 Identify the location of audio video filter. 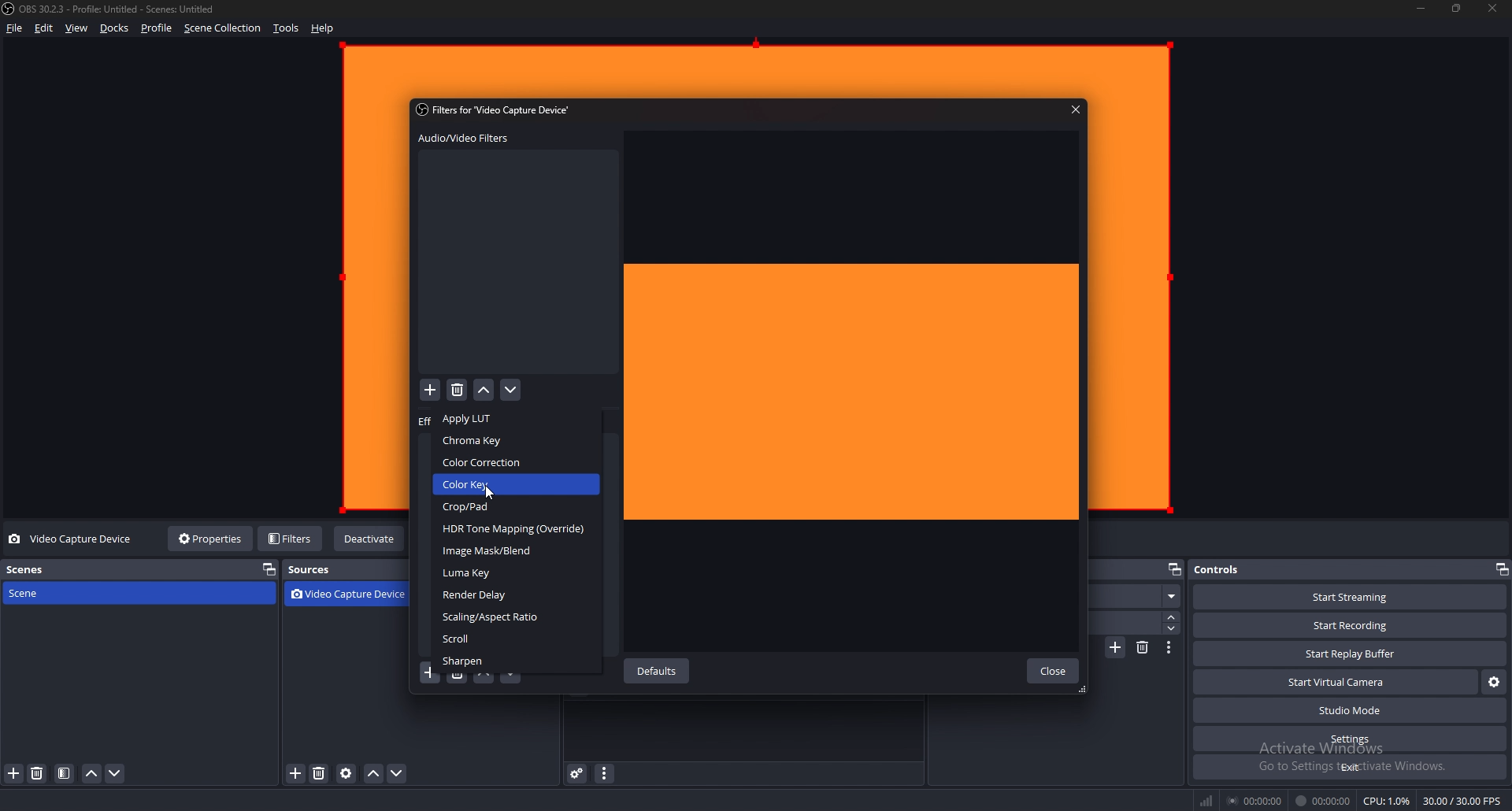
(463, 139).